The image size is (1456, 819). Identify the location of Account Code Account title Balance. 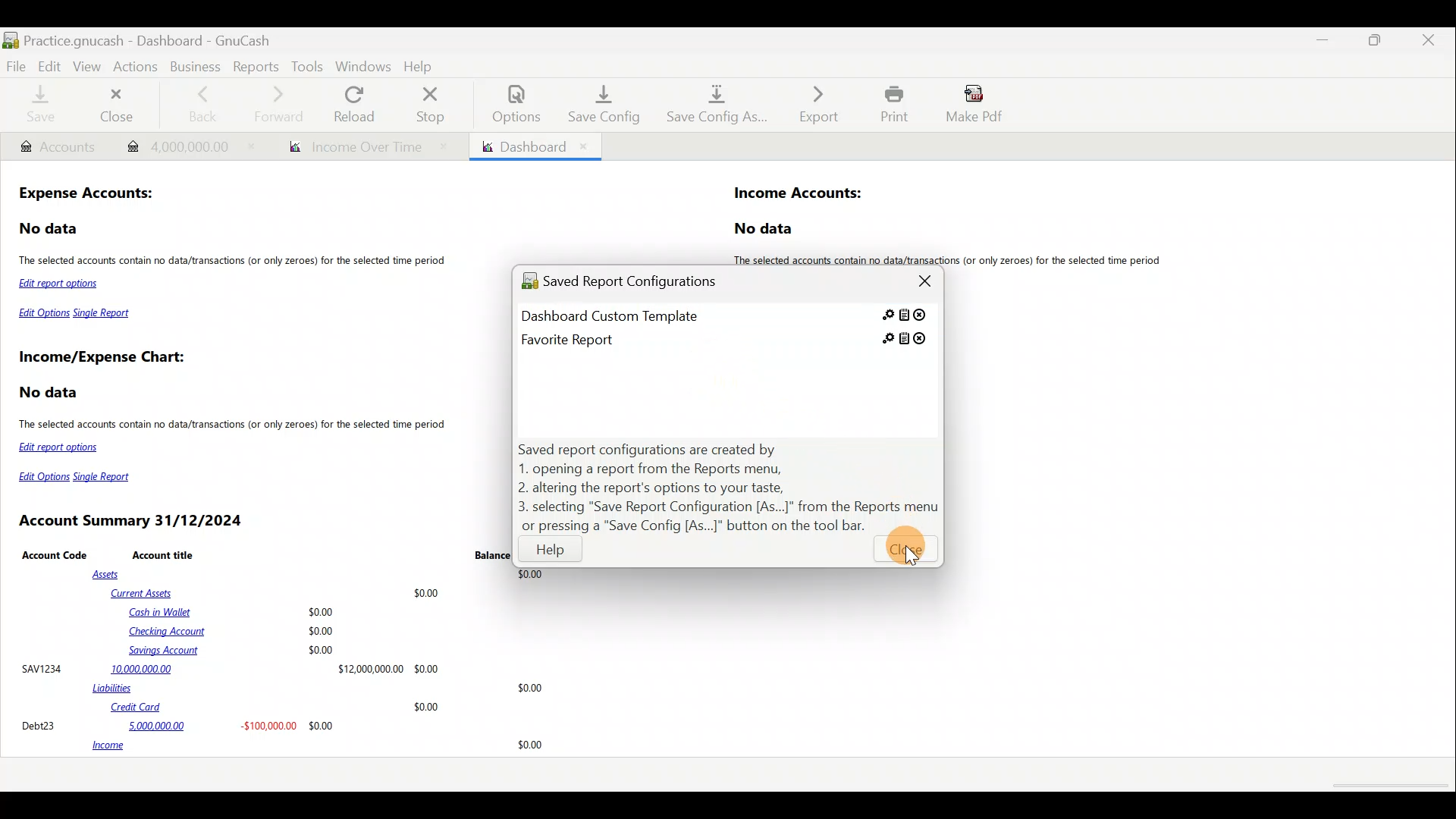
(266, 554).